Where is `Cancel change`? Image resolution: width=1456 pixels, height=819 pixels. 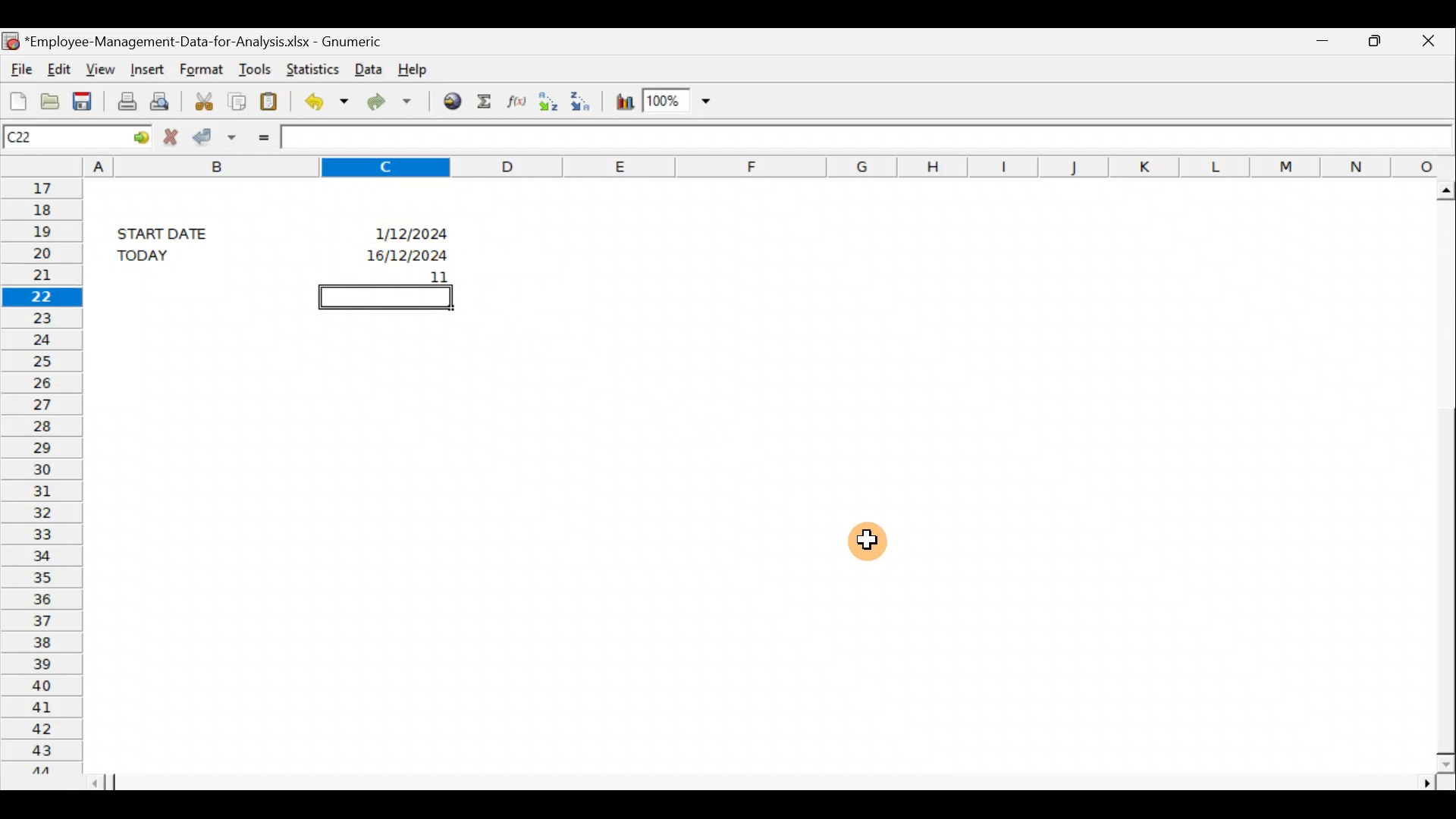 Cancel change is located at coordinates (169, 136).